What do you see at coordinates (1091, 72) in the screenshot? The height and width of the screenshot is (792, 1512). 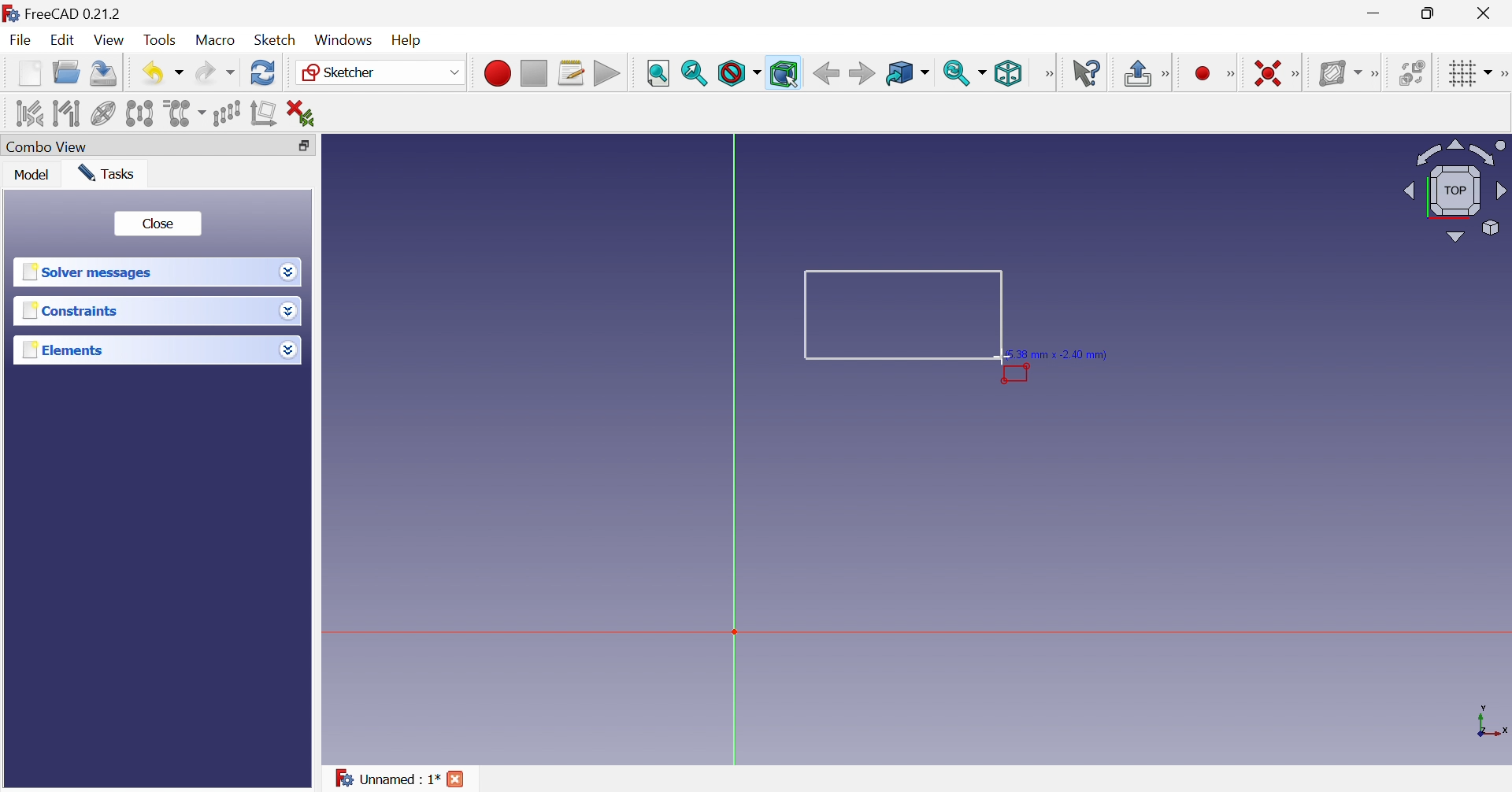 I see `What's this` at bounding box center [1091, 72].